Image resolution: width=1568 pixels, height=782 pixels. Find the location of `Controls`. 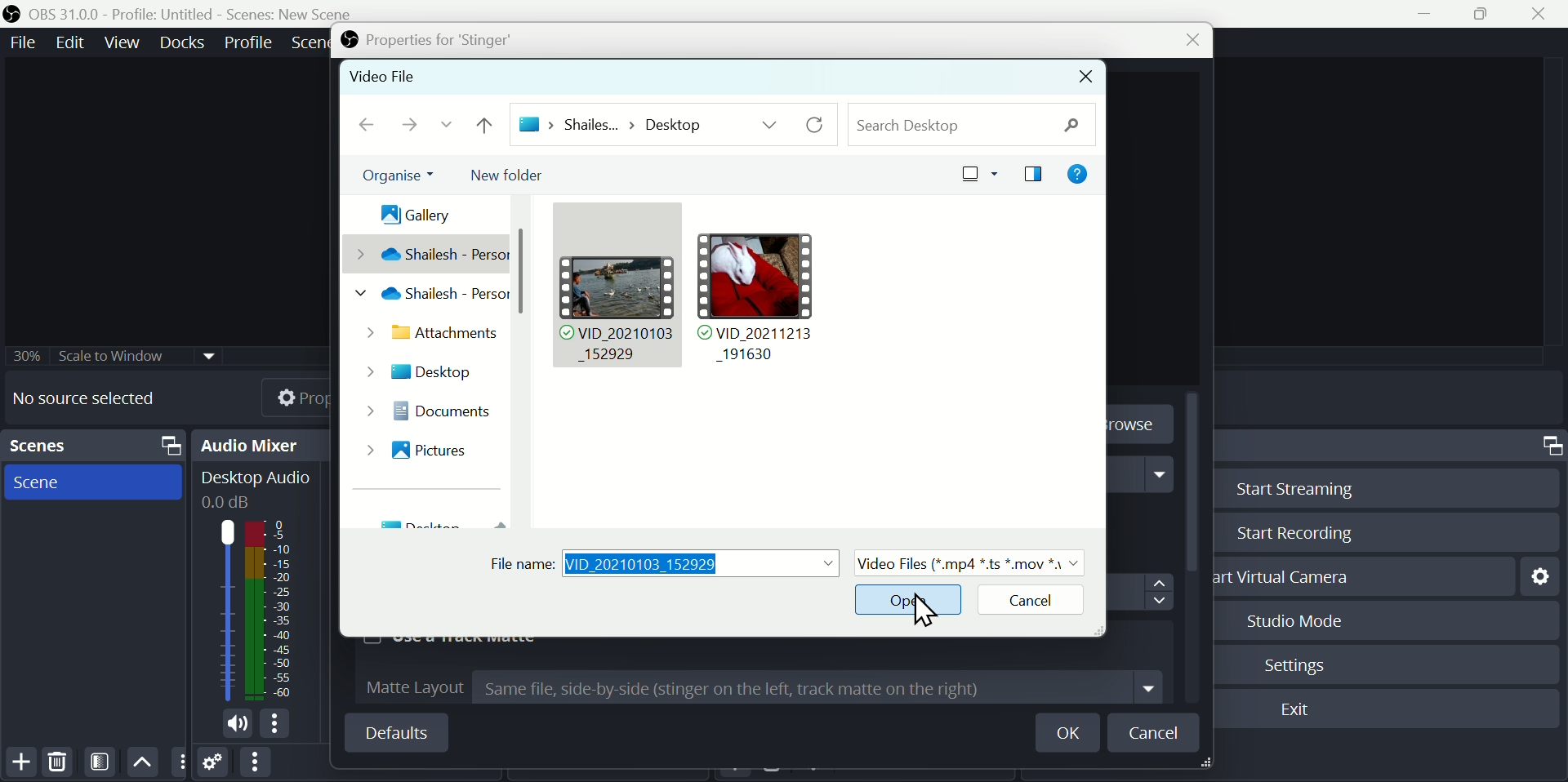

Controls is located at coordinates (1549, 446).